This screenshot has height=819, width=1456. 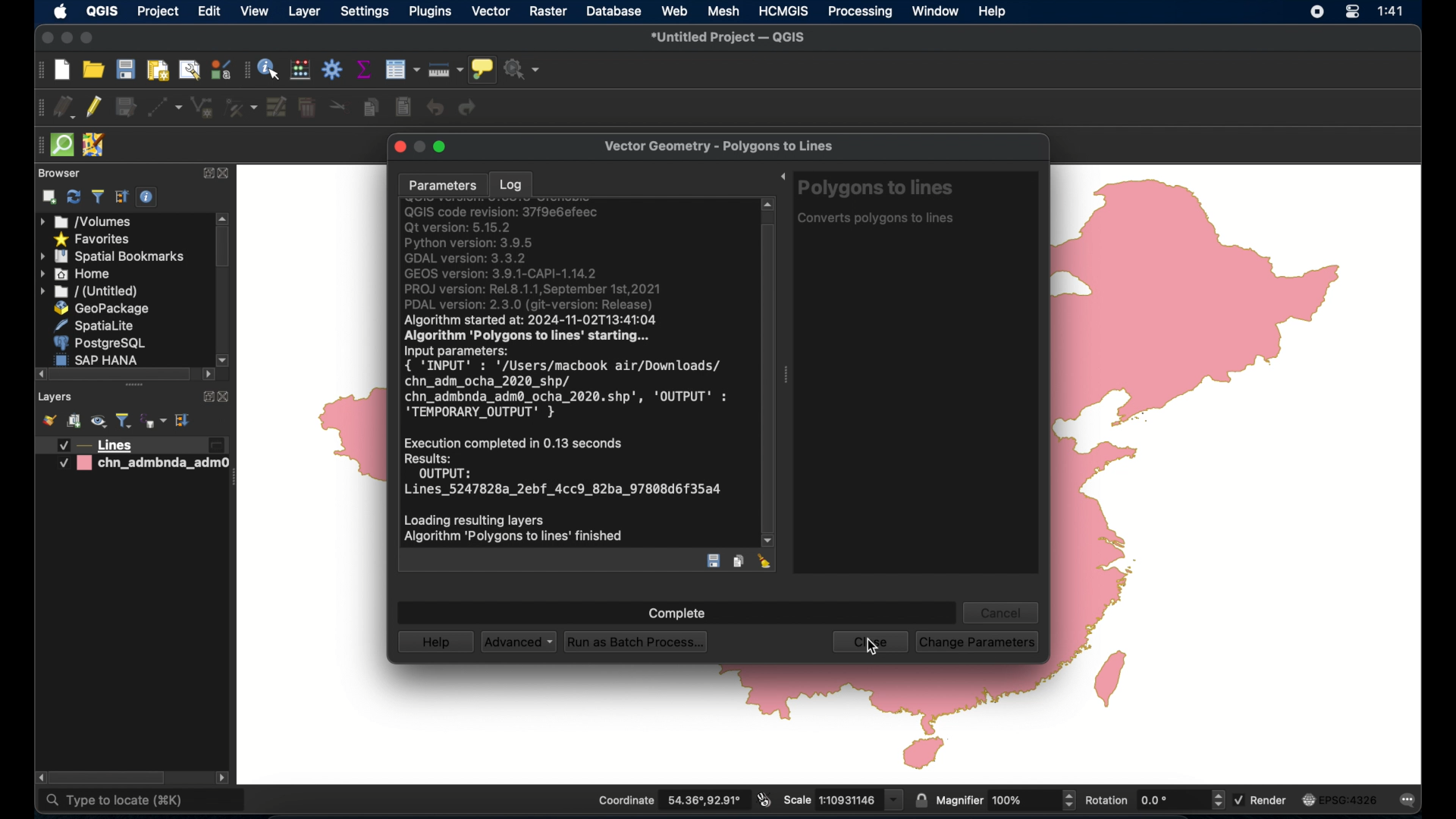 I want to click on polygons to lines tool info, so click(x=886, y=204).